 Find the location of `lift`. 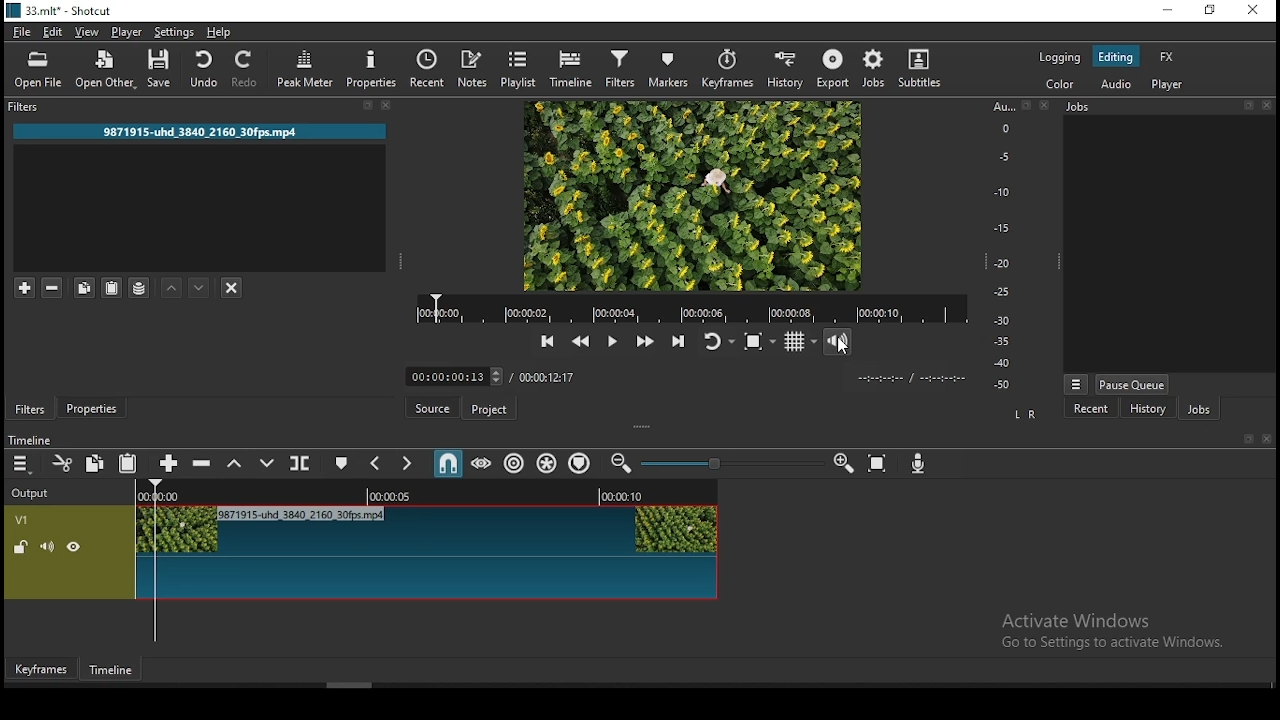

lift is located at coordinates (235, 464).